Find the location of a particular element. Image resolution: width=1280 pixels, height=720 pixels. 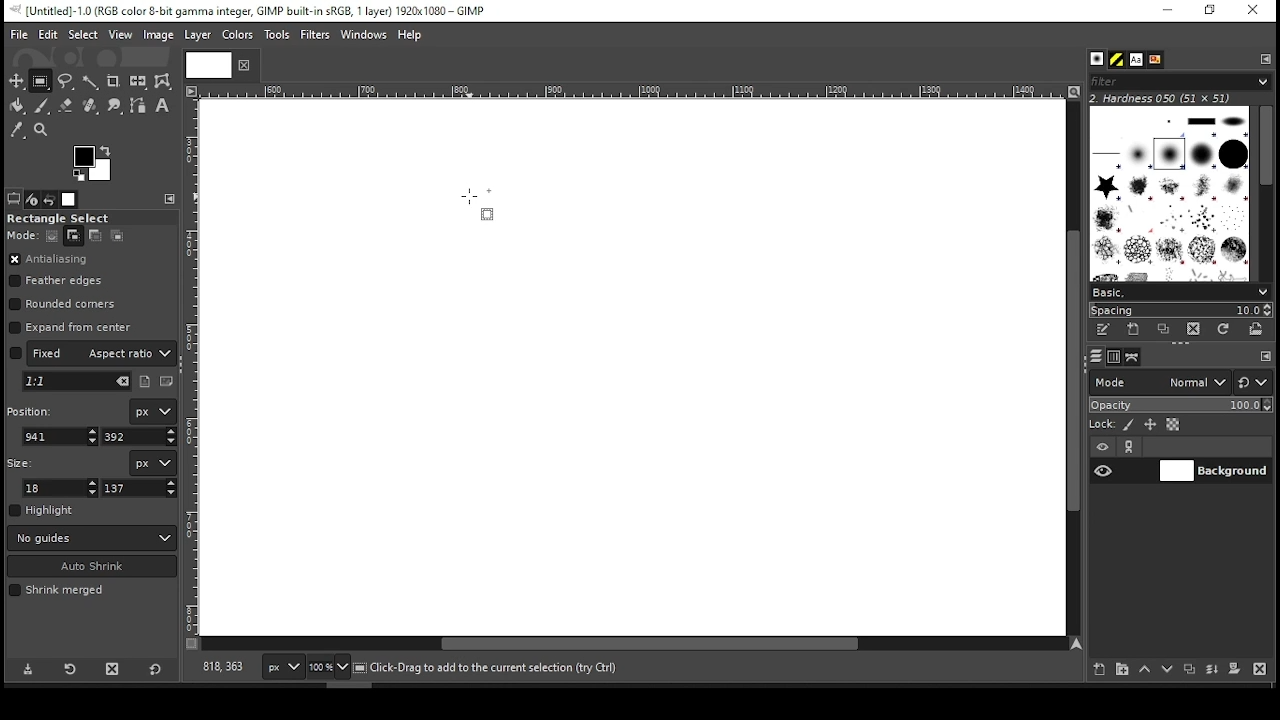

portrait is located at coordinates (146, 381).